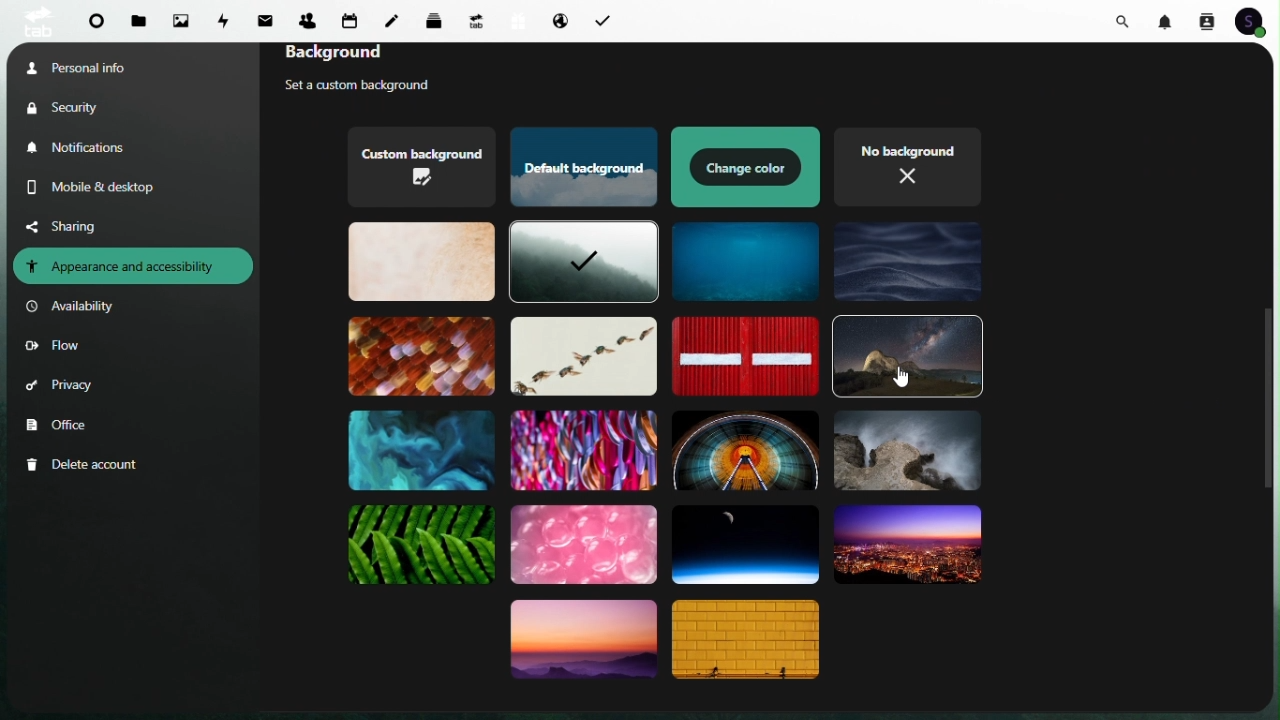 The width and height of the screenshot is (1280, 720). What do you see at coordinates (350, 20) in the screenshot?
I see `Calendar` at bounding box center [350, 20].